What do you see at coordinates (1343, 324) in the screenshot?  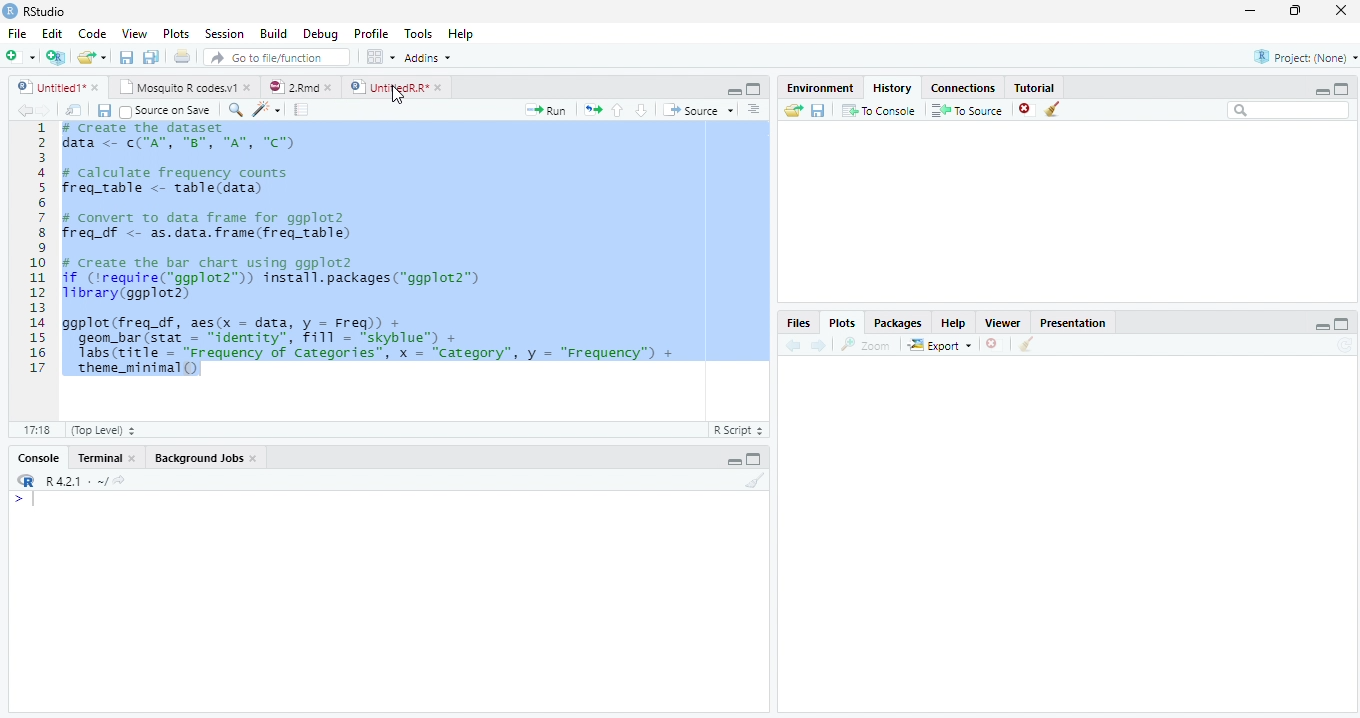 I see `Maximize` at bounding box center [1343, 324].